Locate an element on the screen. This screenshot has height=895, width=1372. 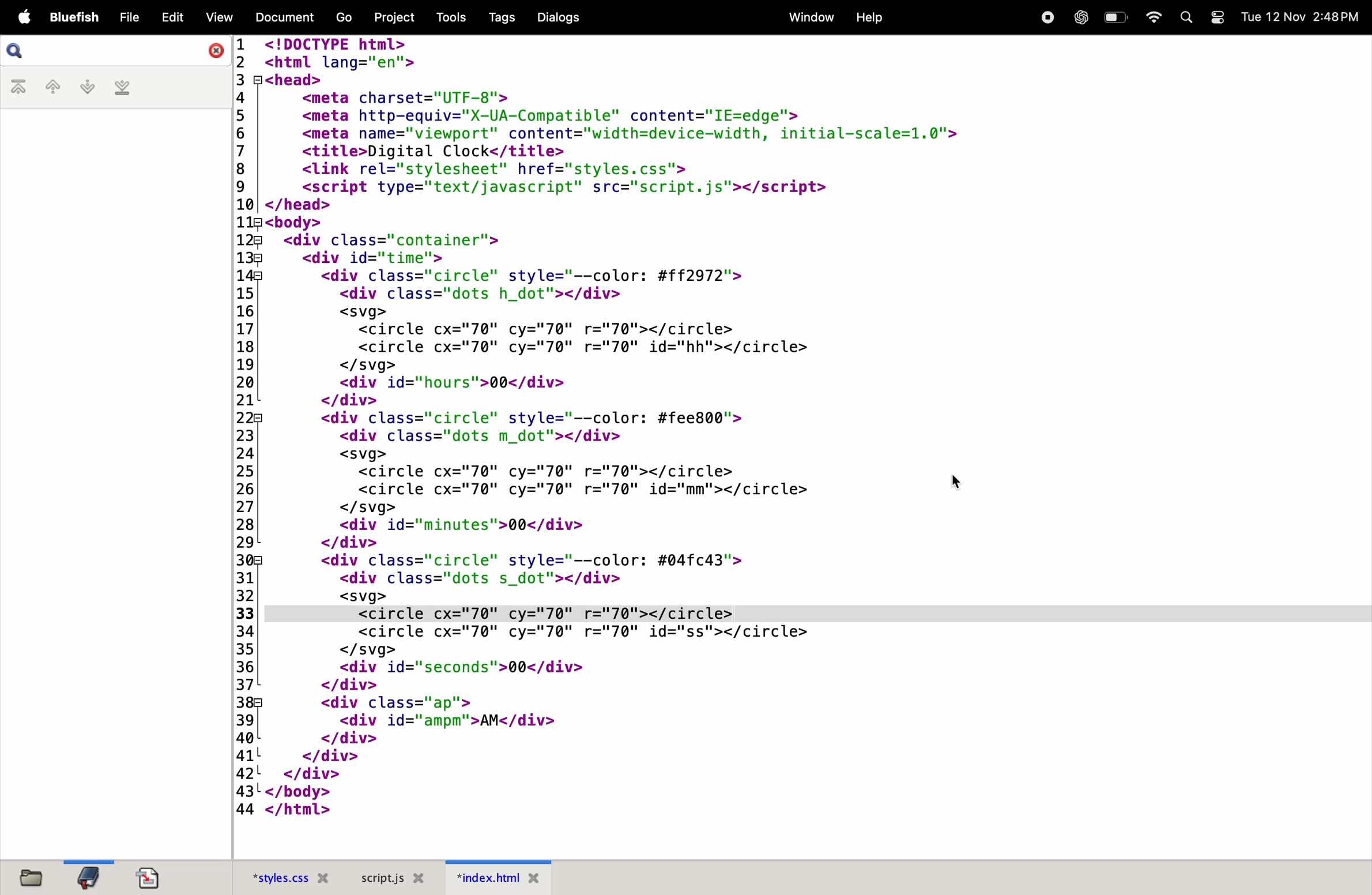
battery is located at coordinates (1113, 17).